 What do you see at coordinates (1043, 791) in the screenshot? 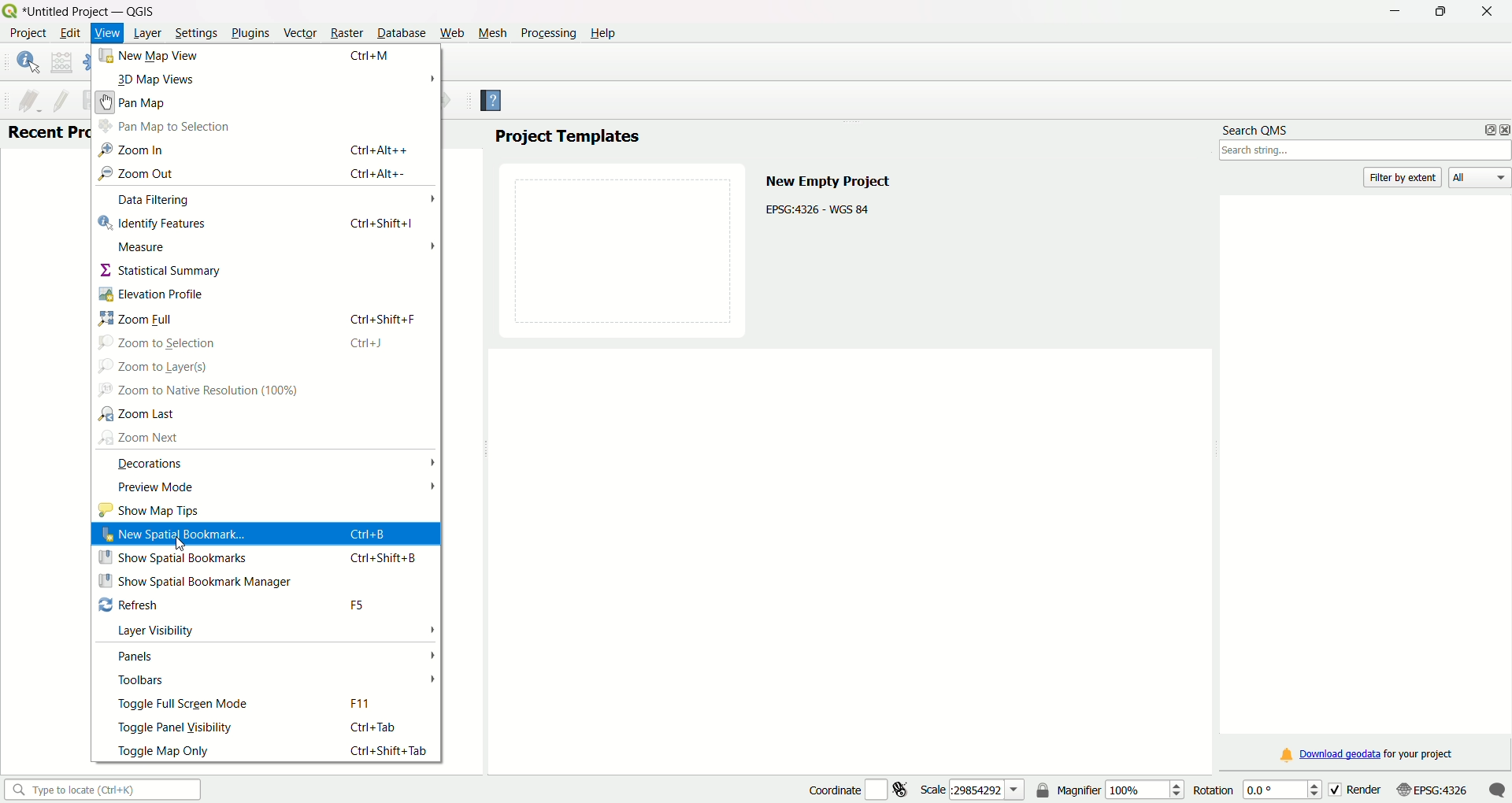
I see `lock the scale` at bounding box center [1043, 791].